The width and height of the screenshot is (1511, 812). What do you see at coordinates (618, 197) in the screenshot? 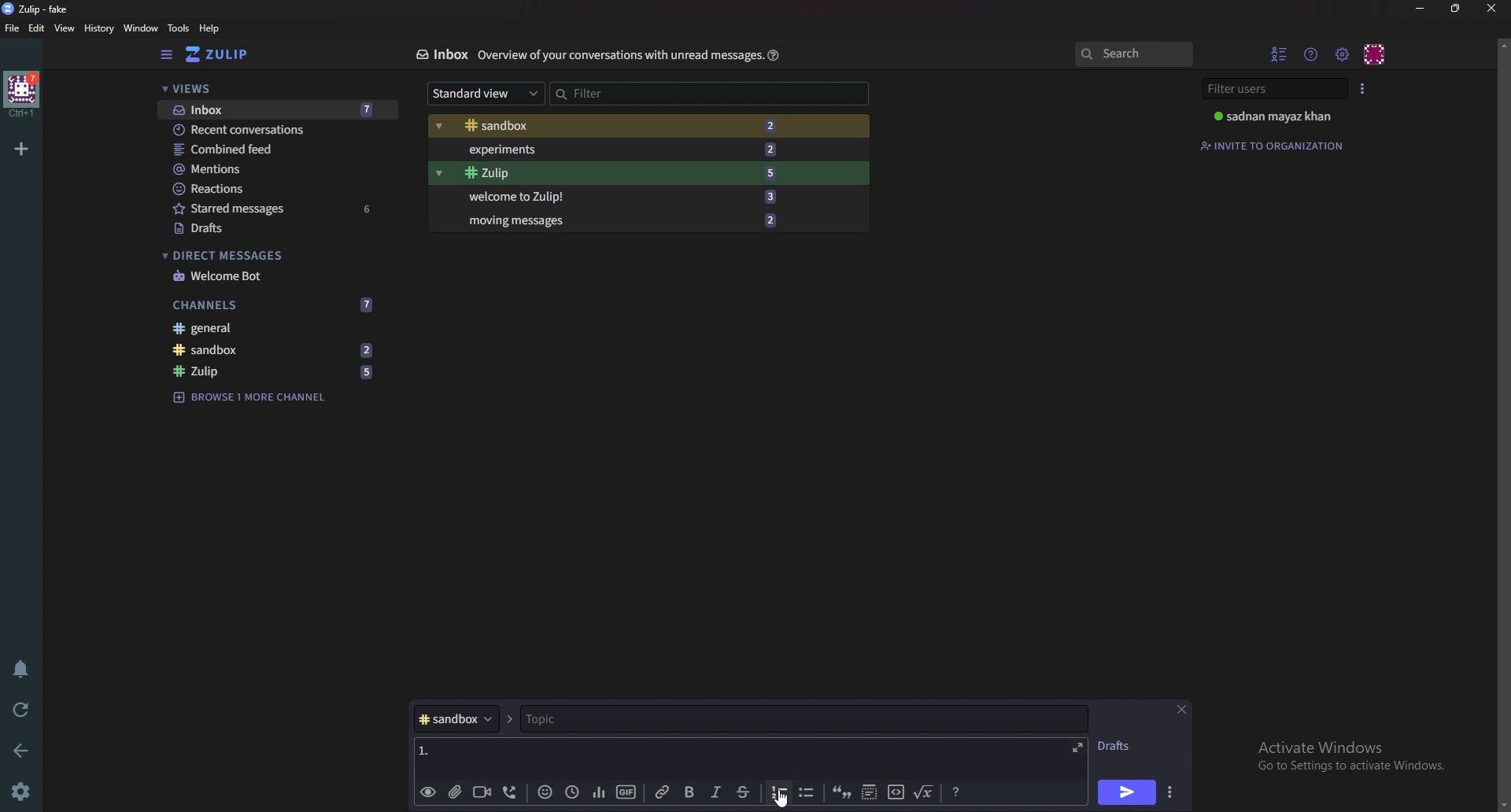
I see `Welcome to Zulip` at bounding box center [618, 197].